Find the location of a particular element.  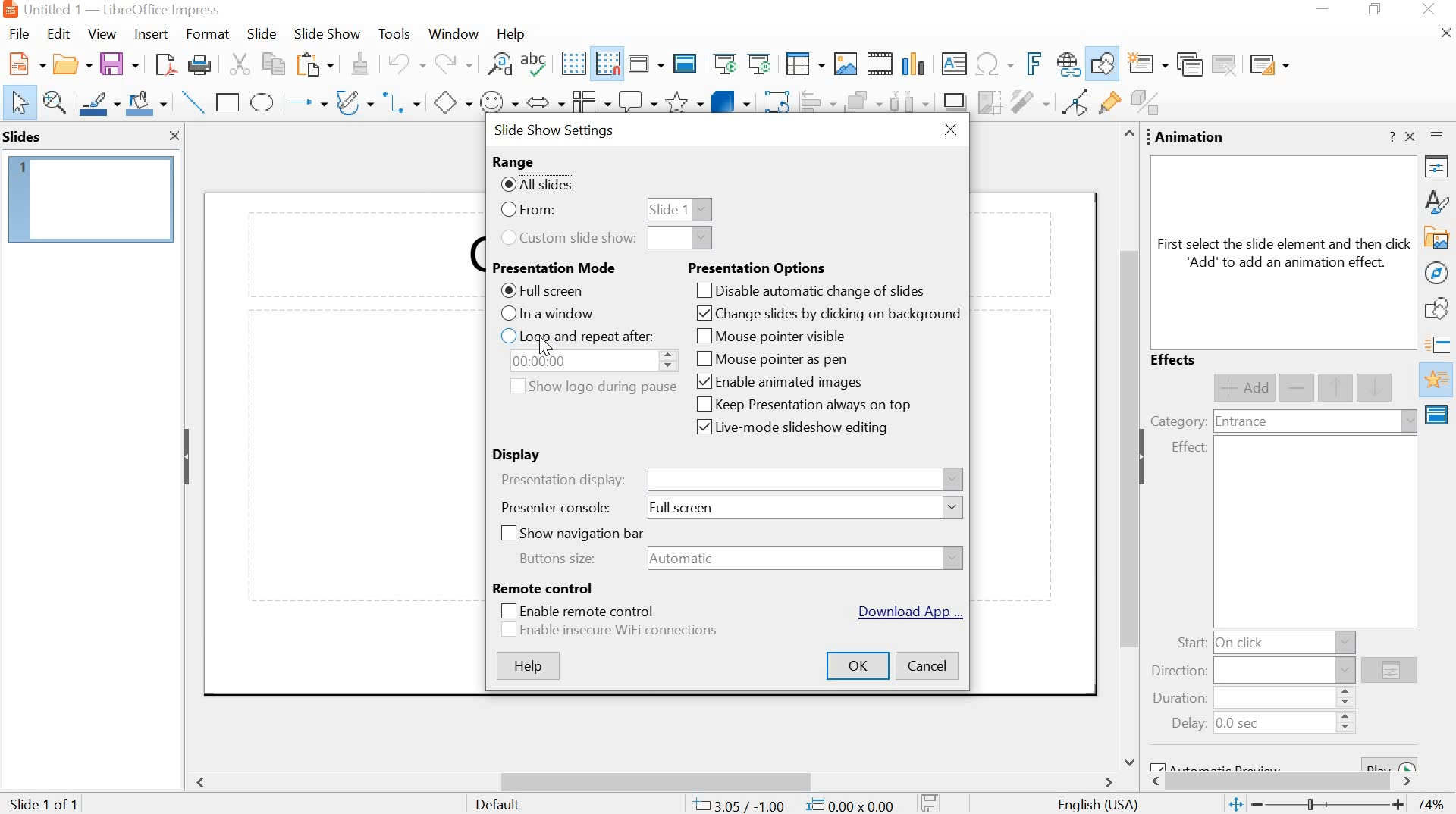

zoom percent is located at coordinates (1430, 805).